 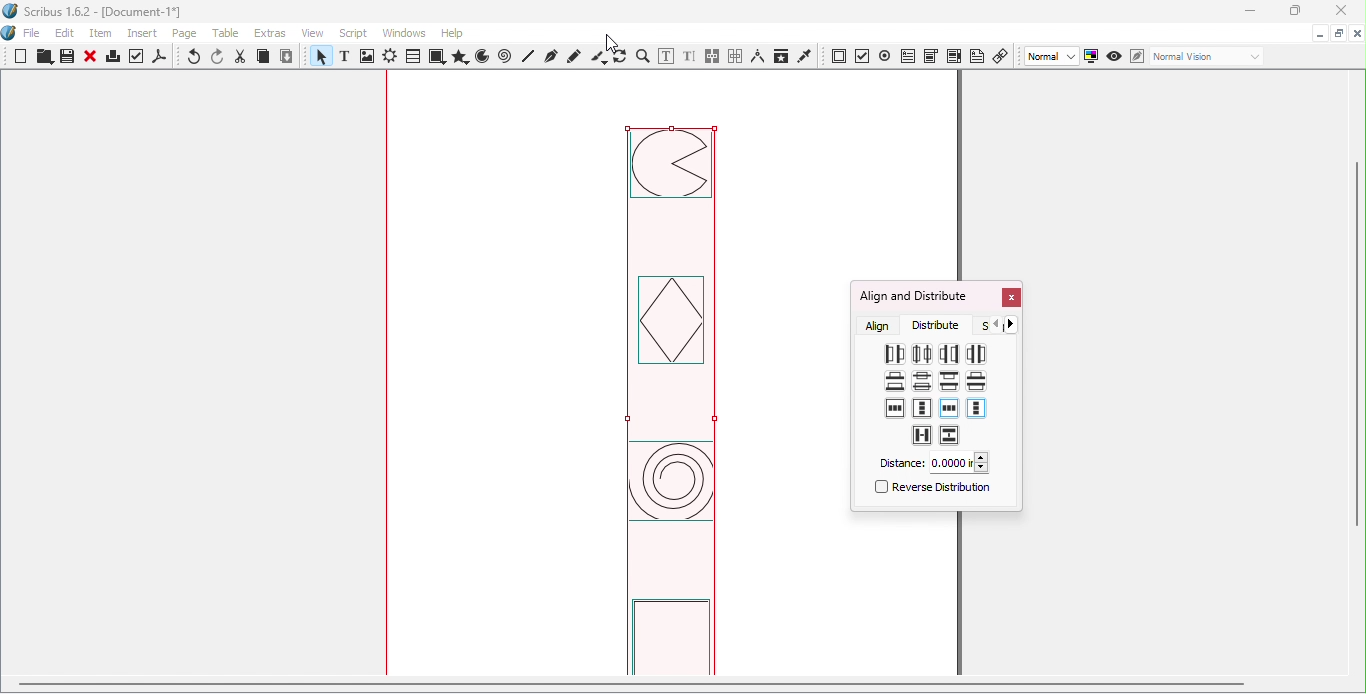 What do you see at coordinates (949, 410) in the screenshot?
I see `Make horizontal gaps between items and sides of page margin equal` at bounding box center [949, 410].